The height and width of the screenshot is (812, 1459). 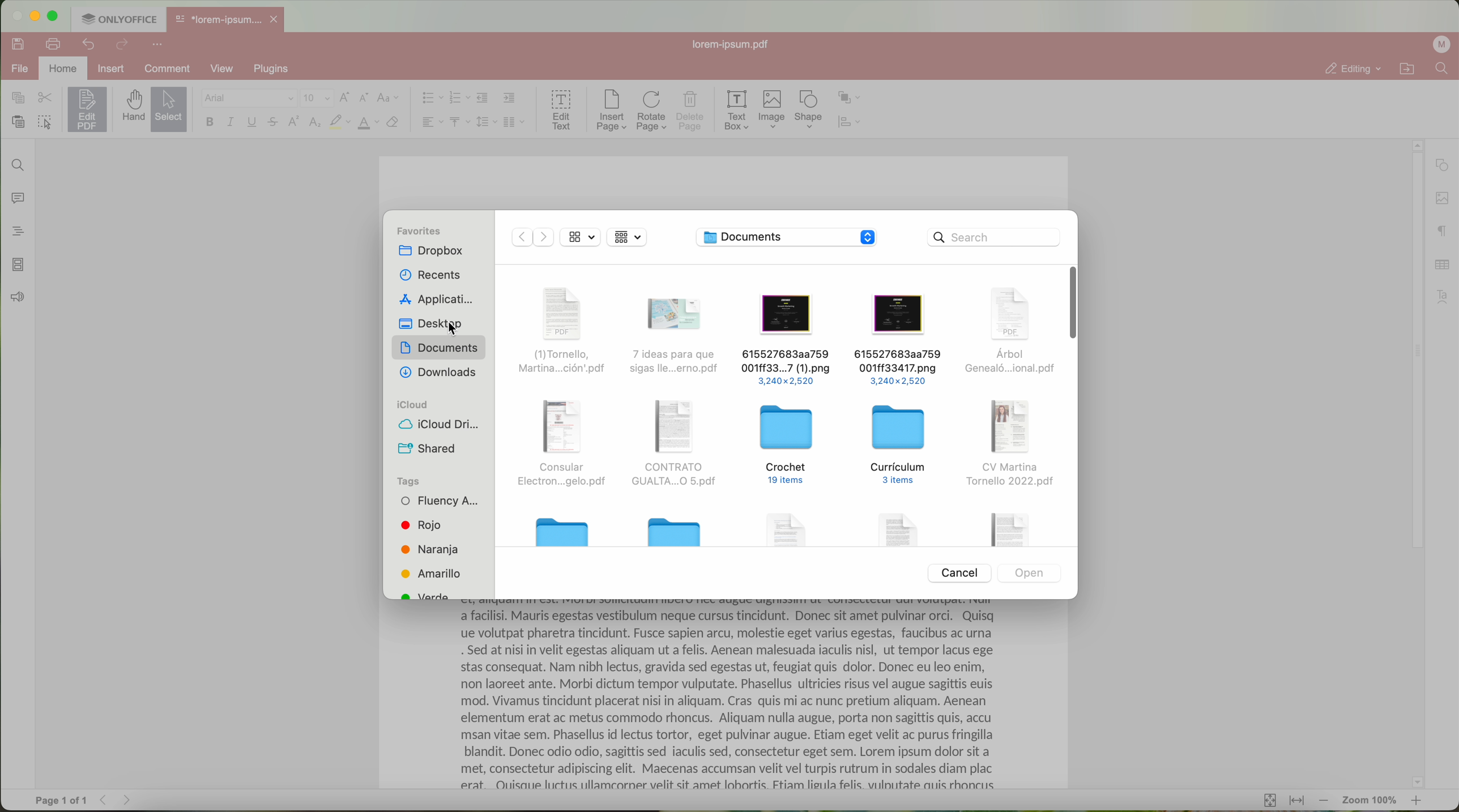 I want to click on subscript, so click(x=316, y=123).